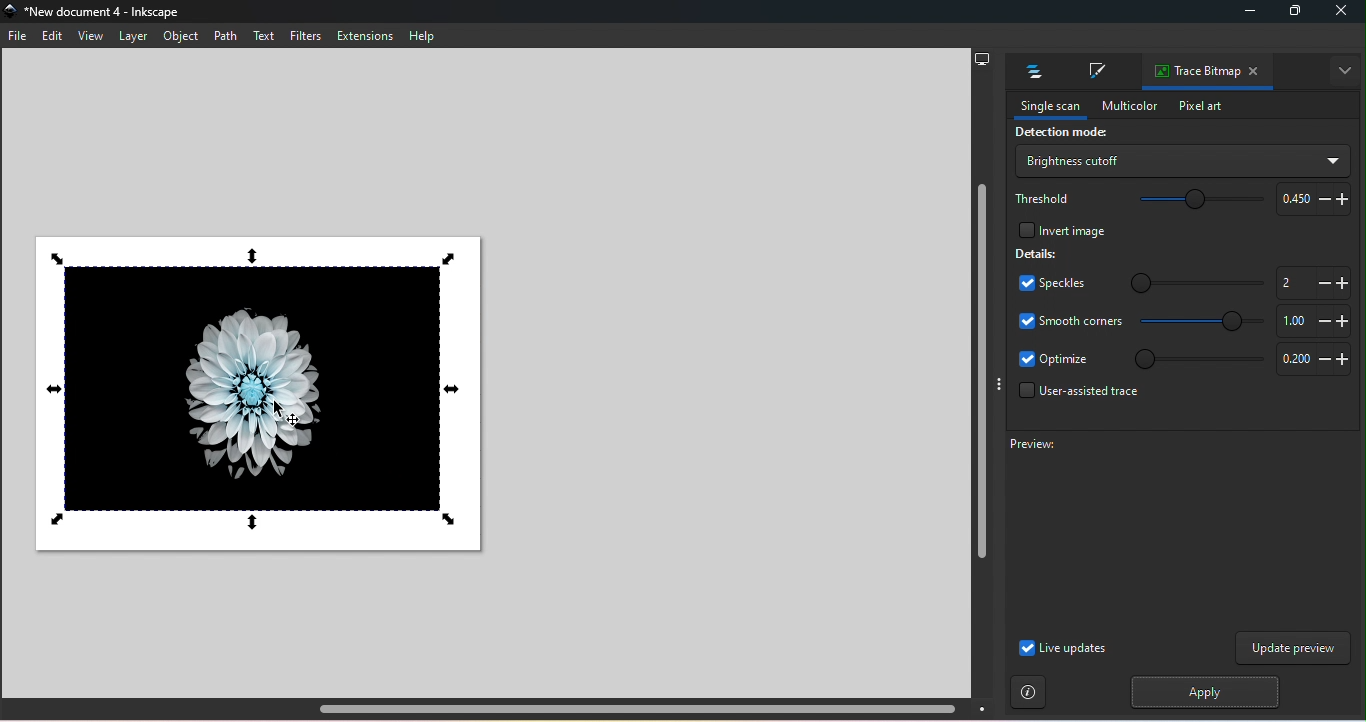  Describe the element at coordinates (1200, 692) in the screenshot. I see `Apply` at that location.